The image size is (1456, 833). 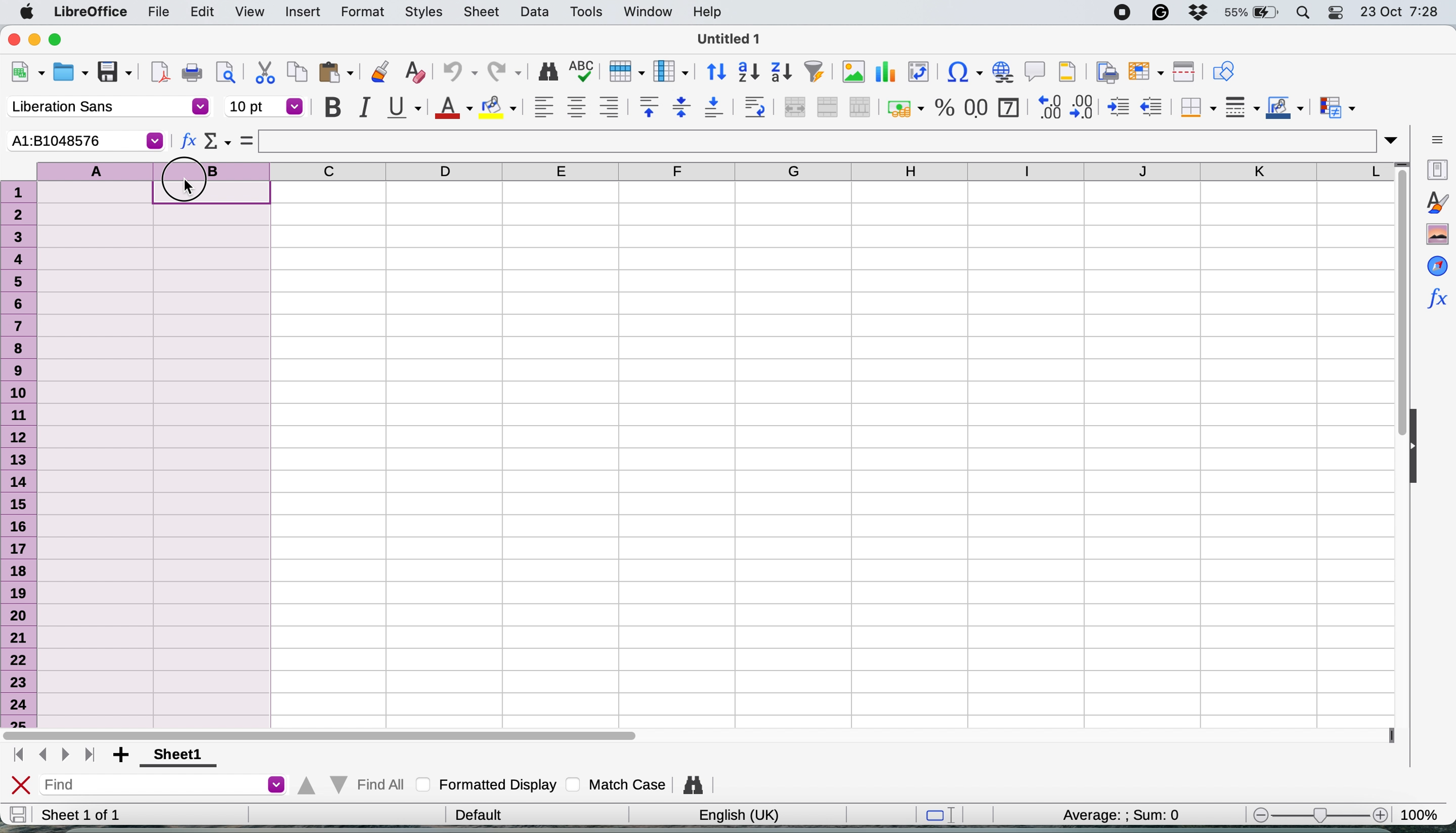 What do you see at coordinates (405, 108) in the screenshot?
I see `underline` at bounding box center [405, 108].